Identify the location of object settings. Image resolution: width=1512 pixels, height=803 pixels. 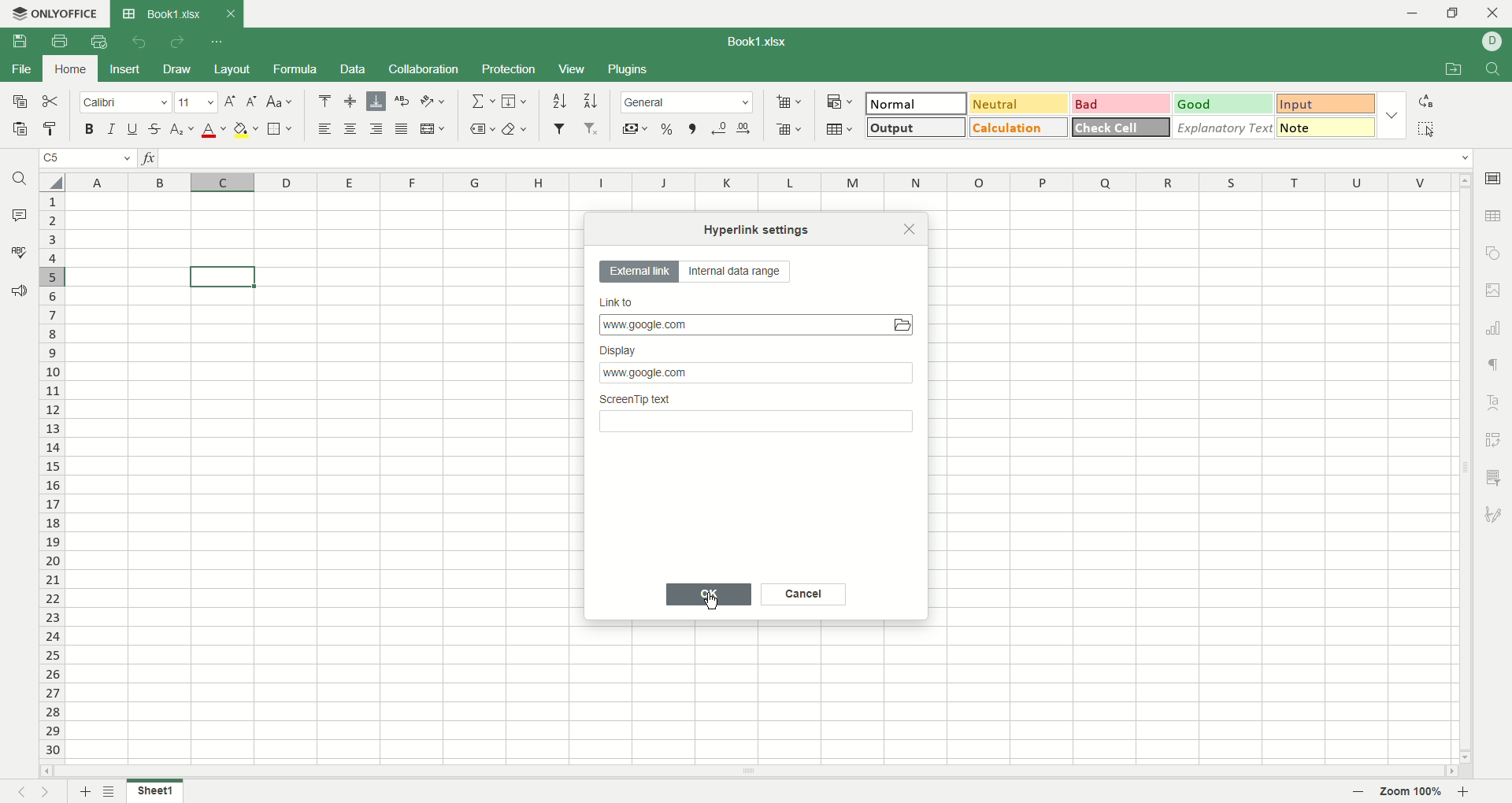
(1493, 255).